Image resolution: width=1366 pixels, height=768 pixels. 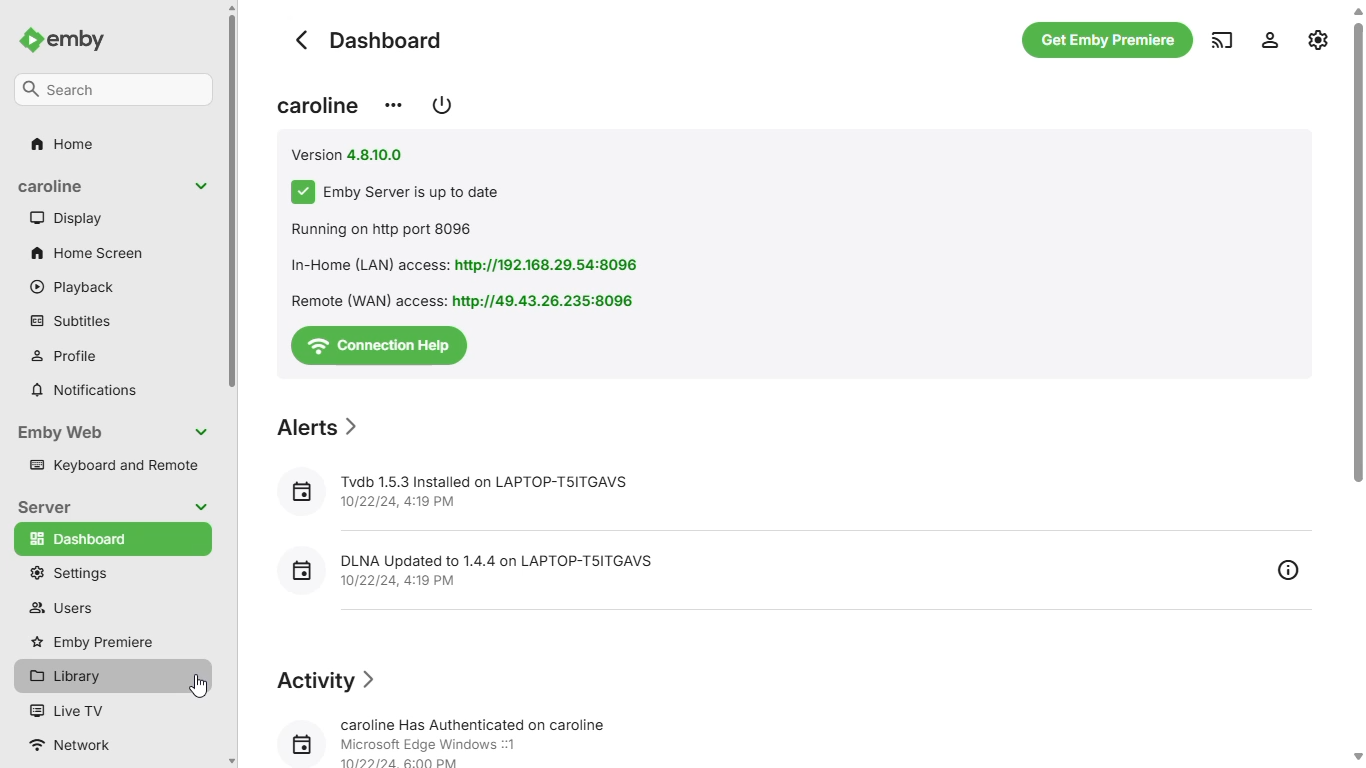 I want to click on display, so click(x=67, y=218).